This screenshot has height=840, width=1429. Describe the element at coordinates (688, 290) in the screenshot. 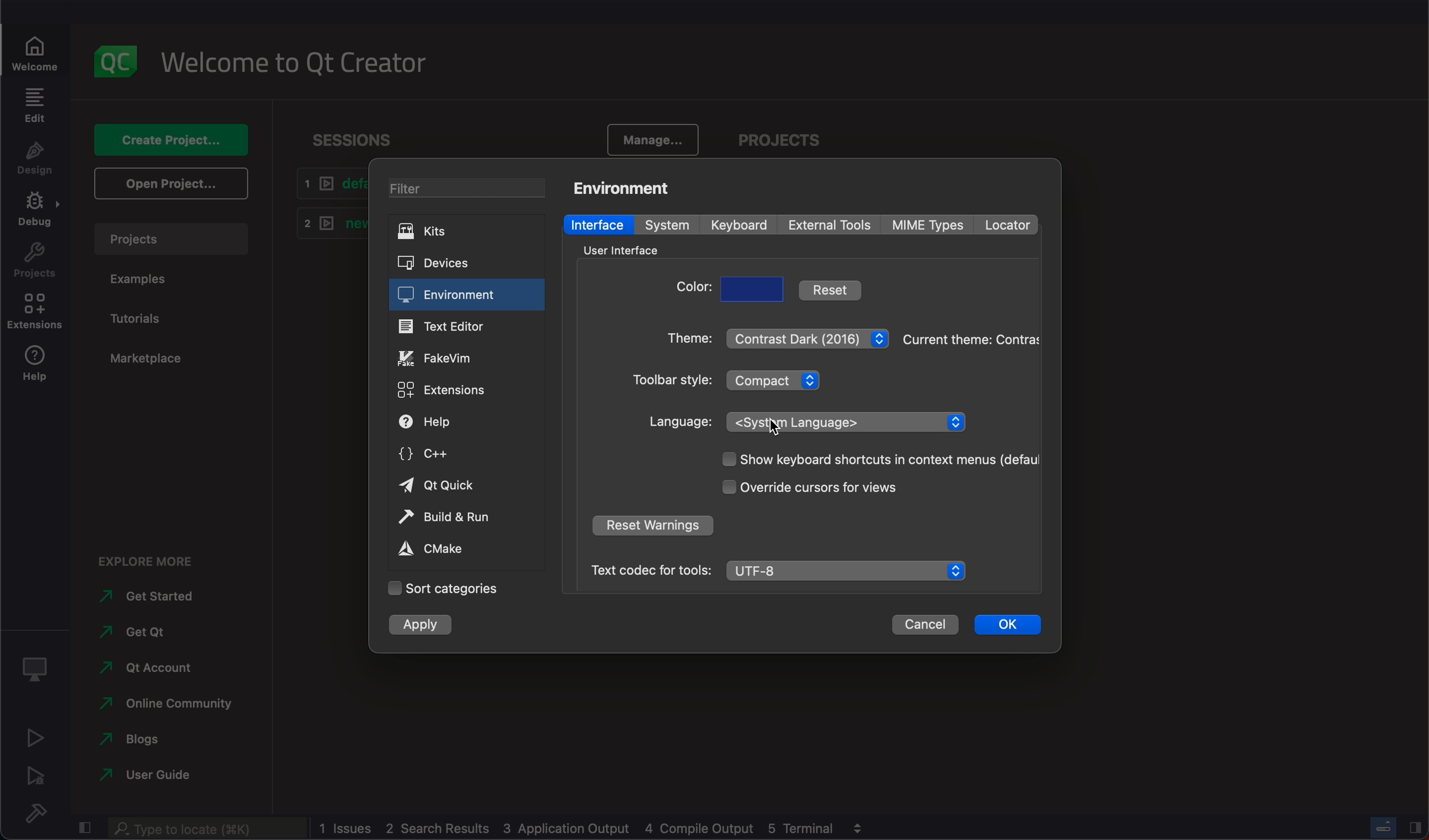

I see `color` at that location.